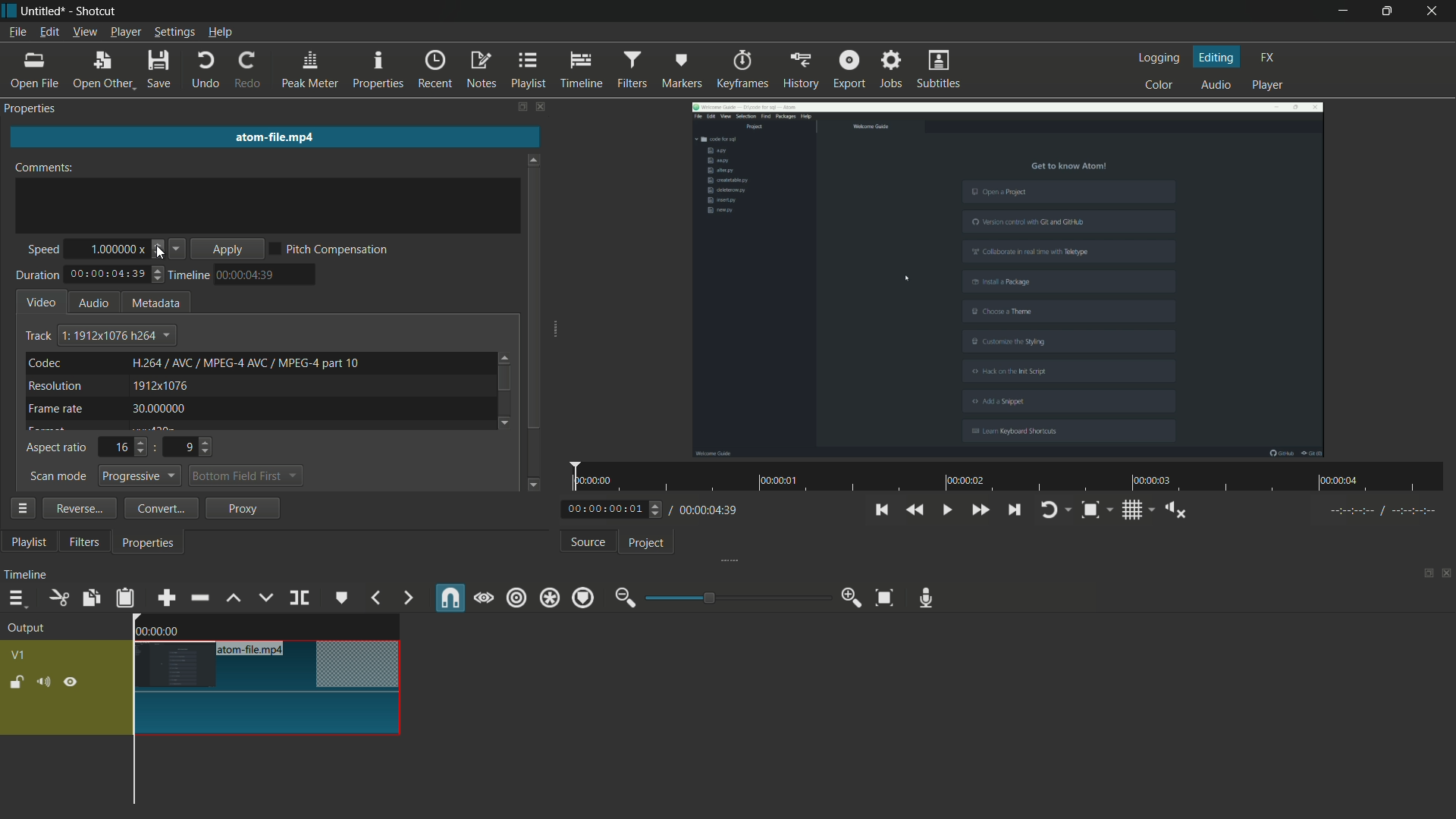 Image resolution: width=1456 pixels, height=819 pixels. Describe the element at coordinates (435, 70) in the screenshot. I see `recent` at that location.